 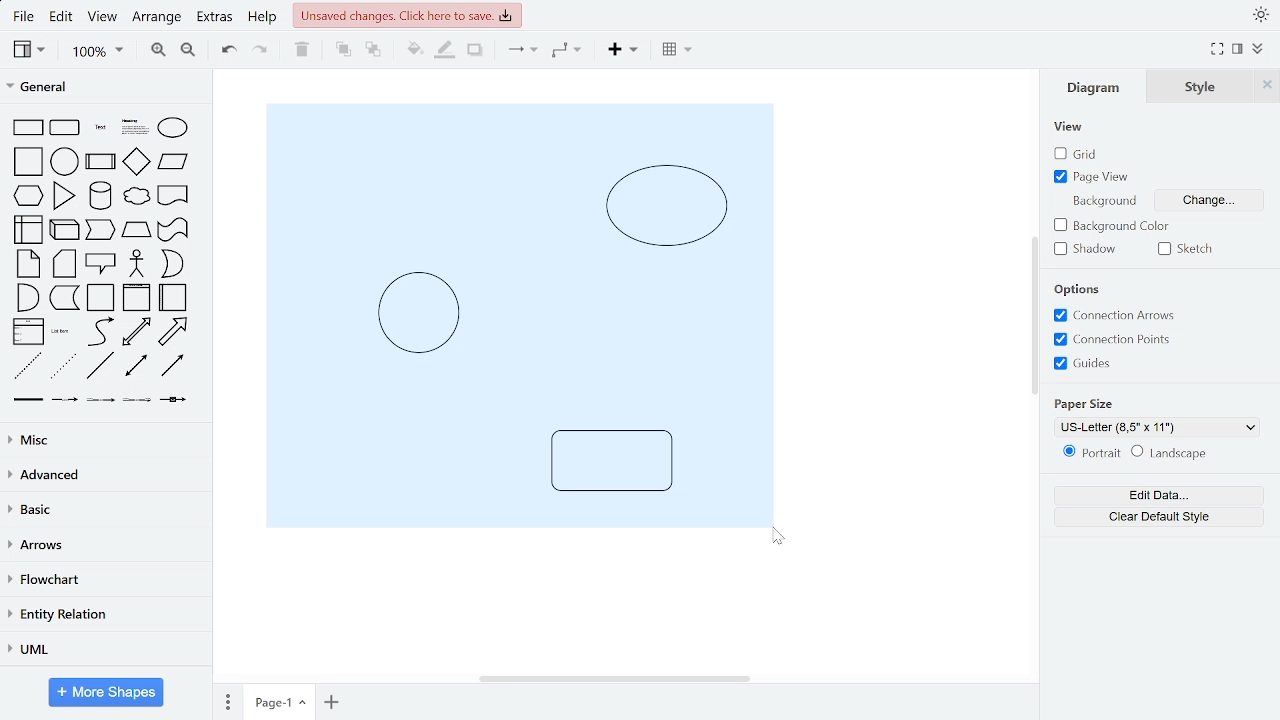 I want to click on container, so click(x=102, y=298).